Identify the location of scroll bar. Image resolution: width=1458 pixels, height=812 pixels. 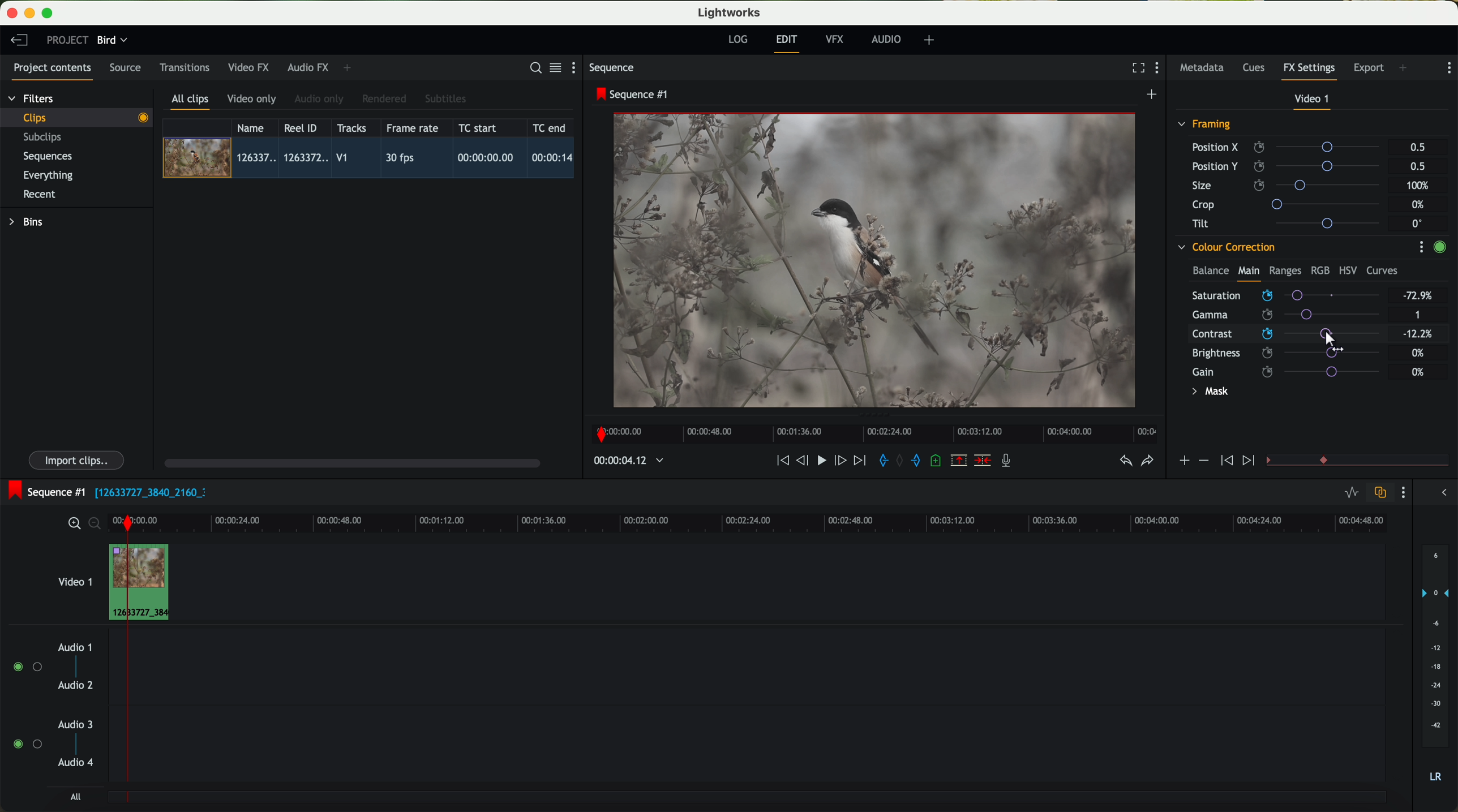
(351, 462).